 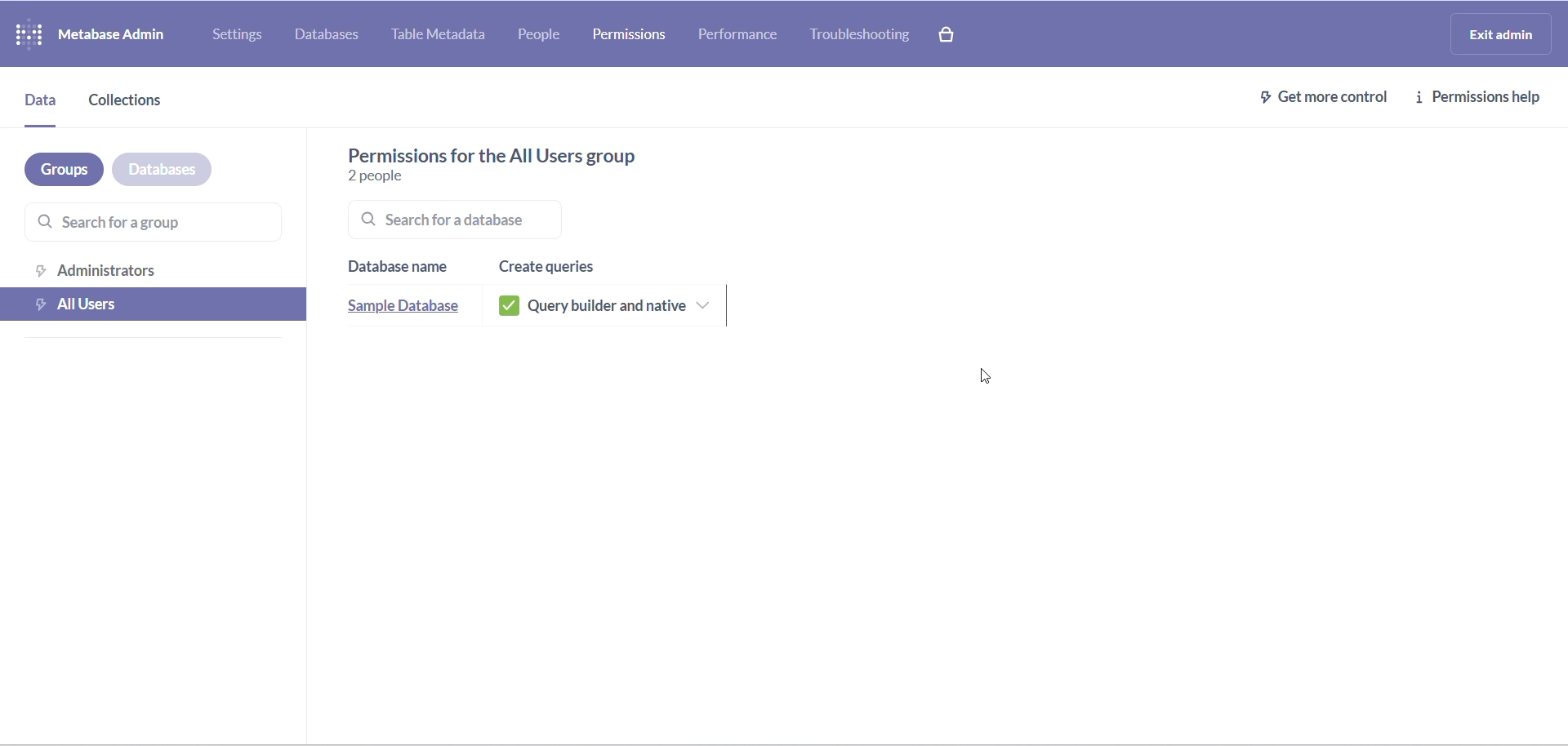 I want to click on cursor, so click(x=987, y=379).